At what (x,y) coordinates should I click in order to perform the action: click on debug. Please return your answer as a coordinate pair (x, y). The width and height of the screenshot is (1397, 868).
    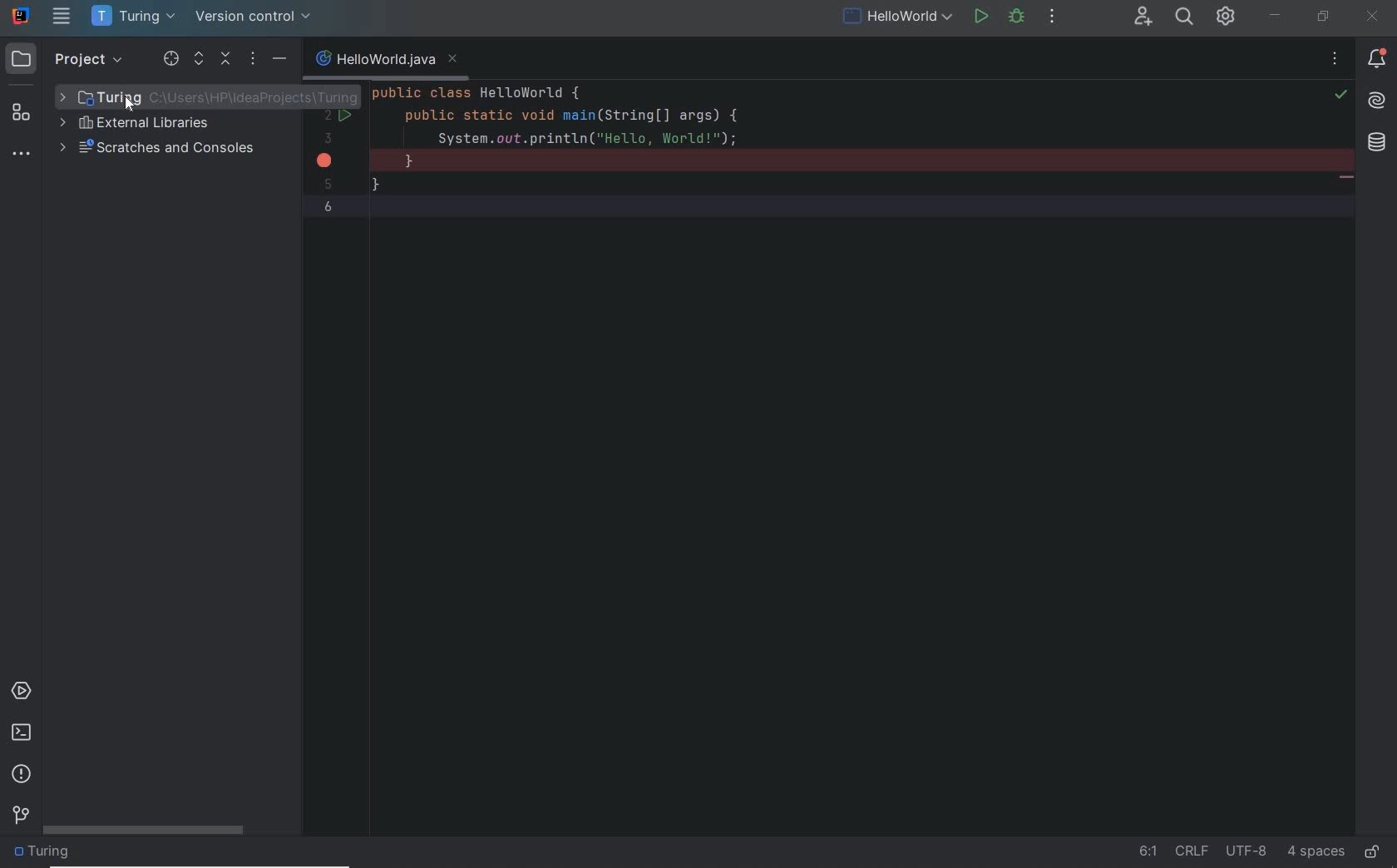
    Looking at the image, I should click on (1020, 18).